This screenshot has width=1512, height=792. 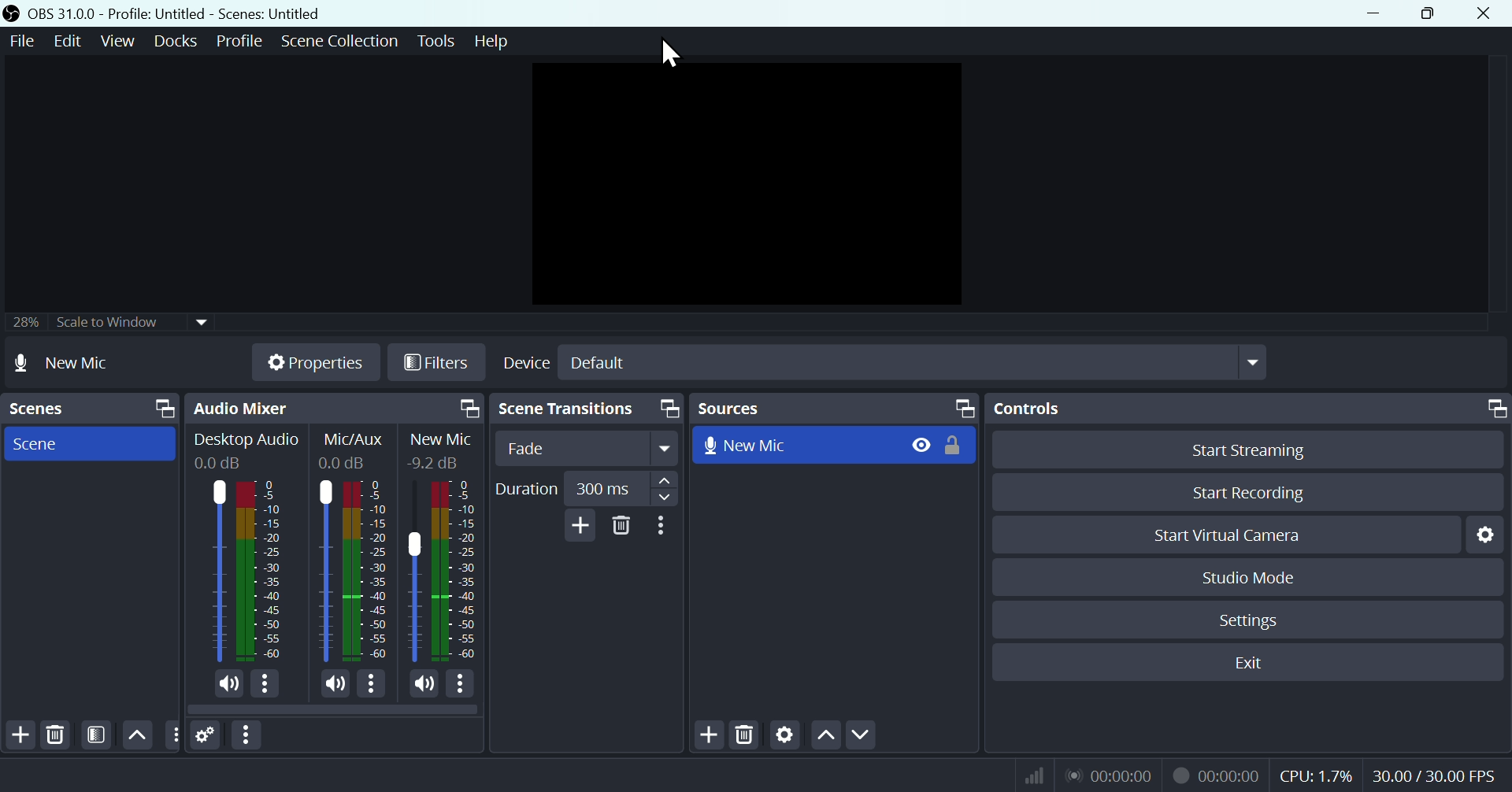 I want to click on Scenes, so click(x=89, y=409).